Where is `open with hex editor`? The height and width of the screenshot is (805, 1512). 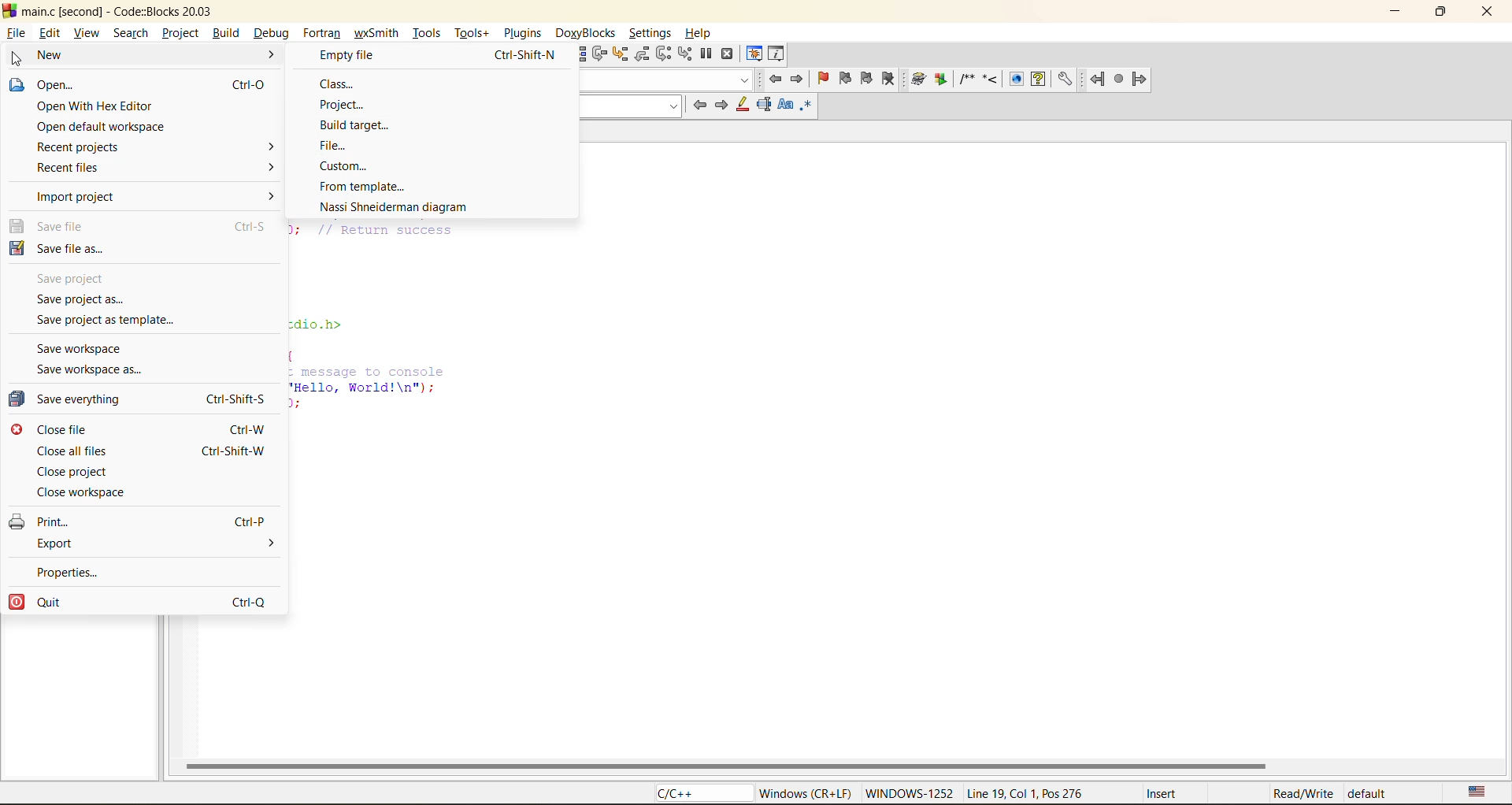 open with hex editor is located at coordinates (94, 108).